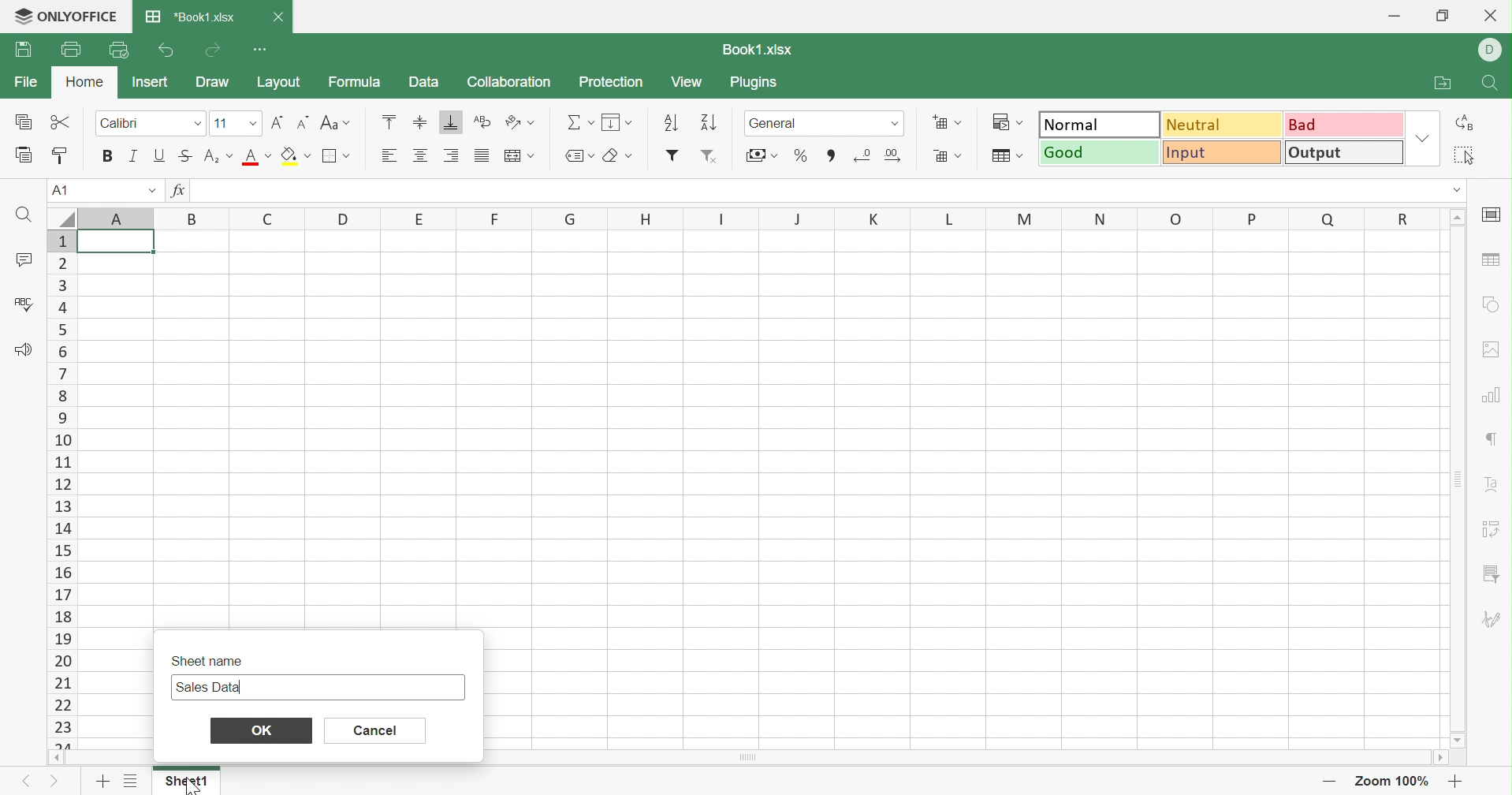  I want to click on General, so click(785, 121).